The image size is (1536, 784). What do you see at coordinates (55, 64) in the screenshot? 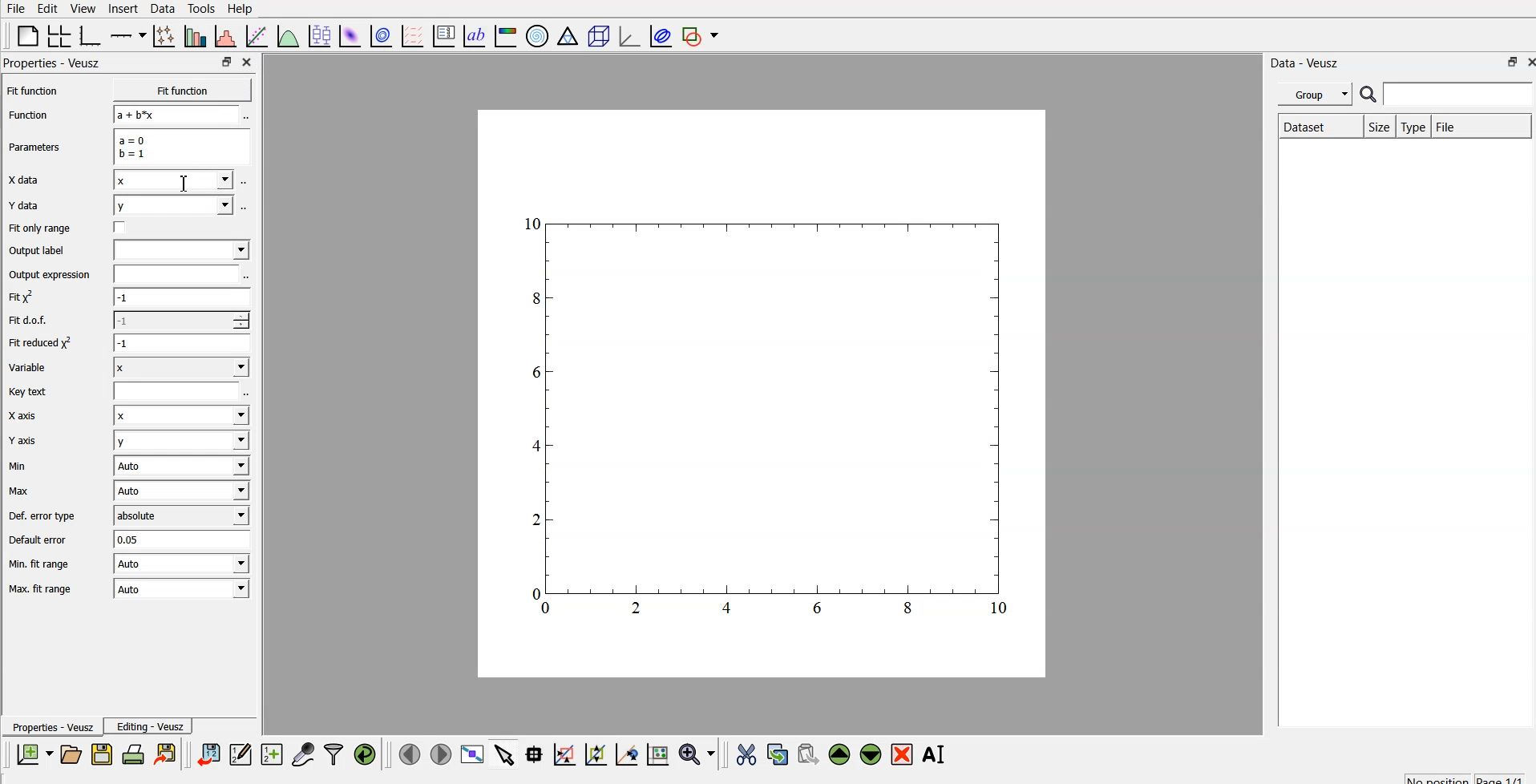
I see `Properties - Veusz` at bounding box center [55, 64].